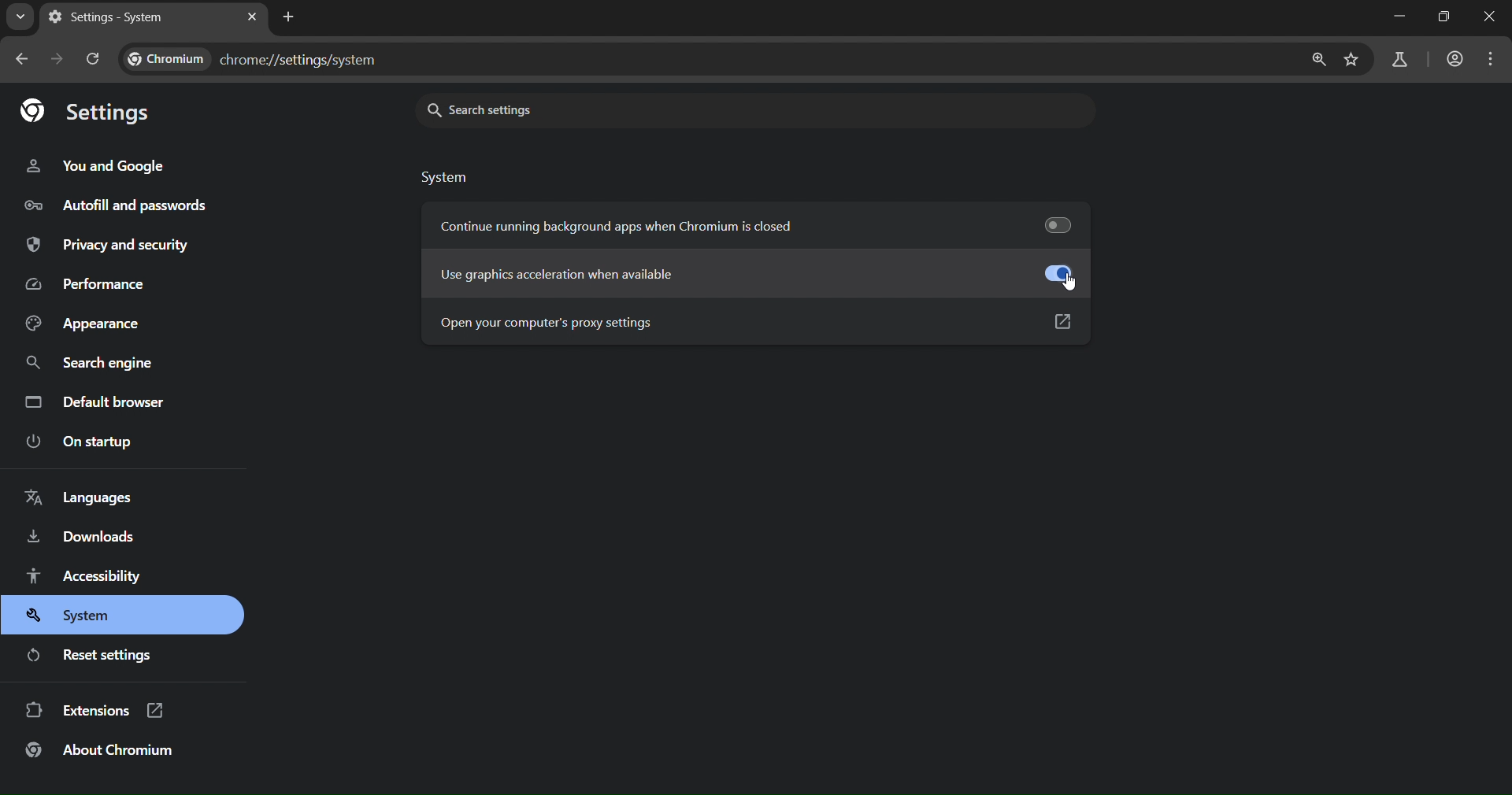 The image size is (1512, 795). Describe the element at coordinates (568, 325) in the screenshot. I see `open your computer's proxy settings` at that location.